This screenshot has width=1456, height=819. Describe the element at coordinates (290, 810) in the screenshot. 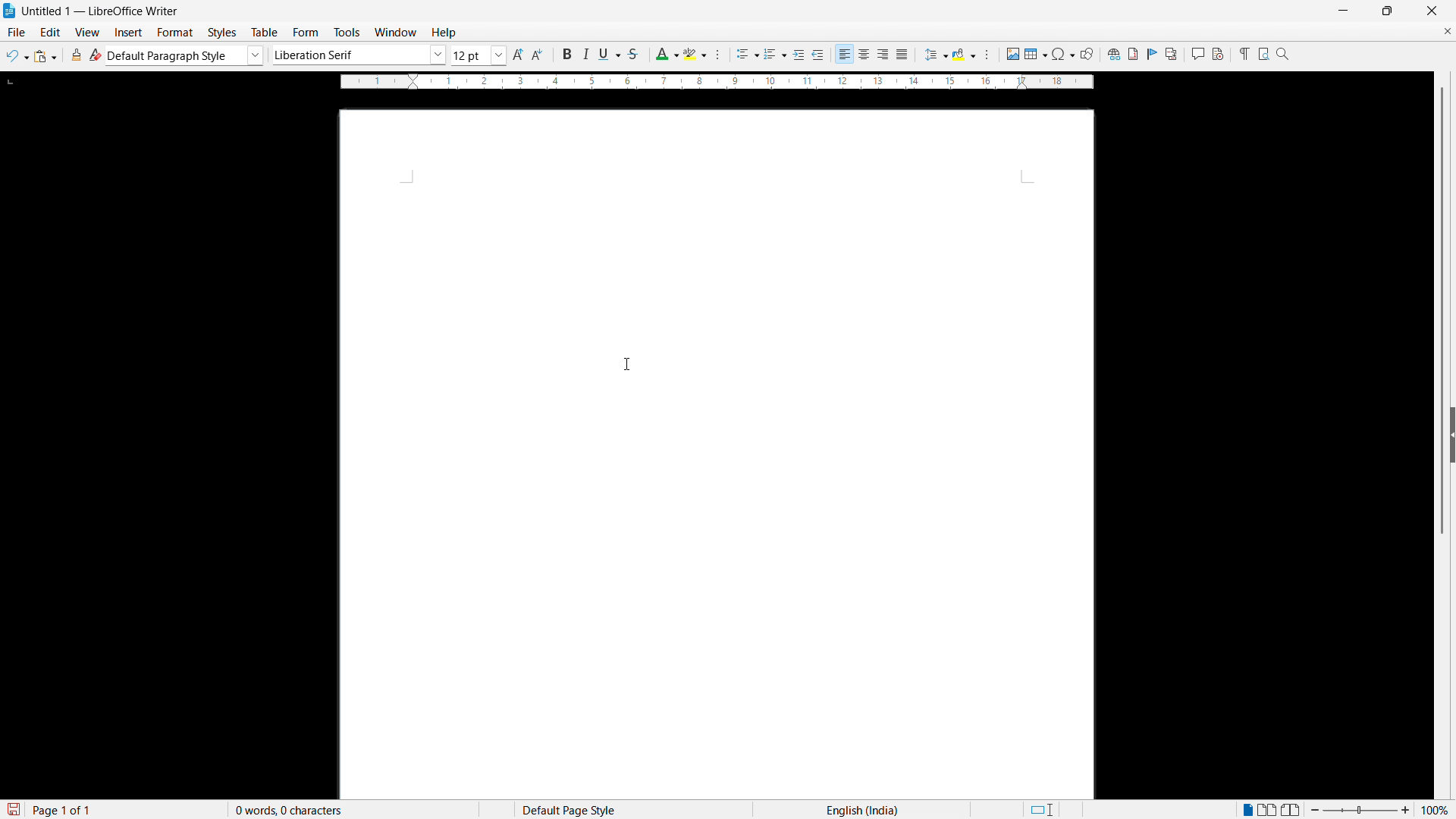

I see `0 words, 0 characters` at that location.